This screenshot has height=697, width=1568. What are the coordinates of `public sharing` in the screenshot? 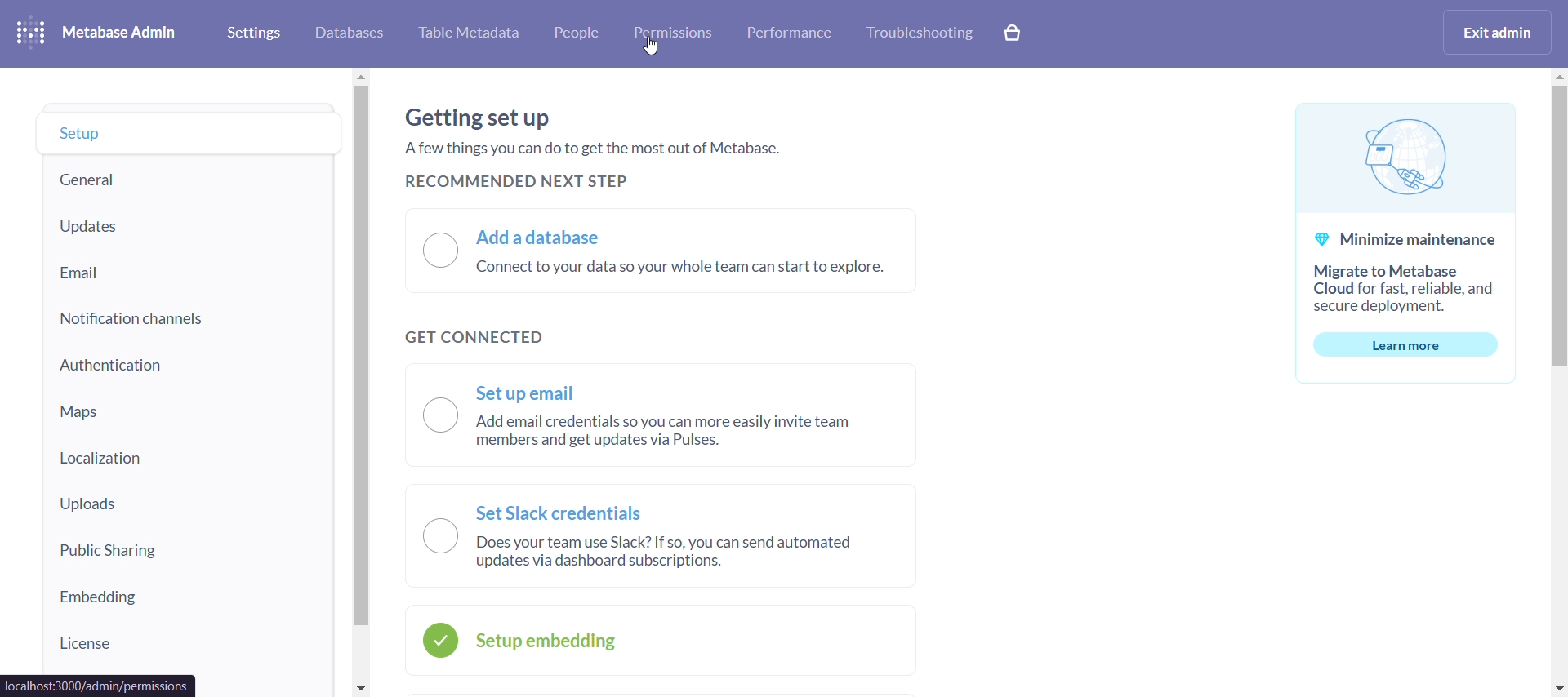 It's located at (186, 550).